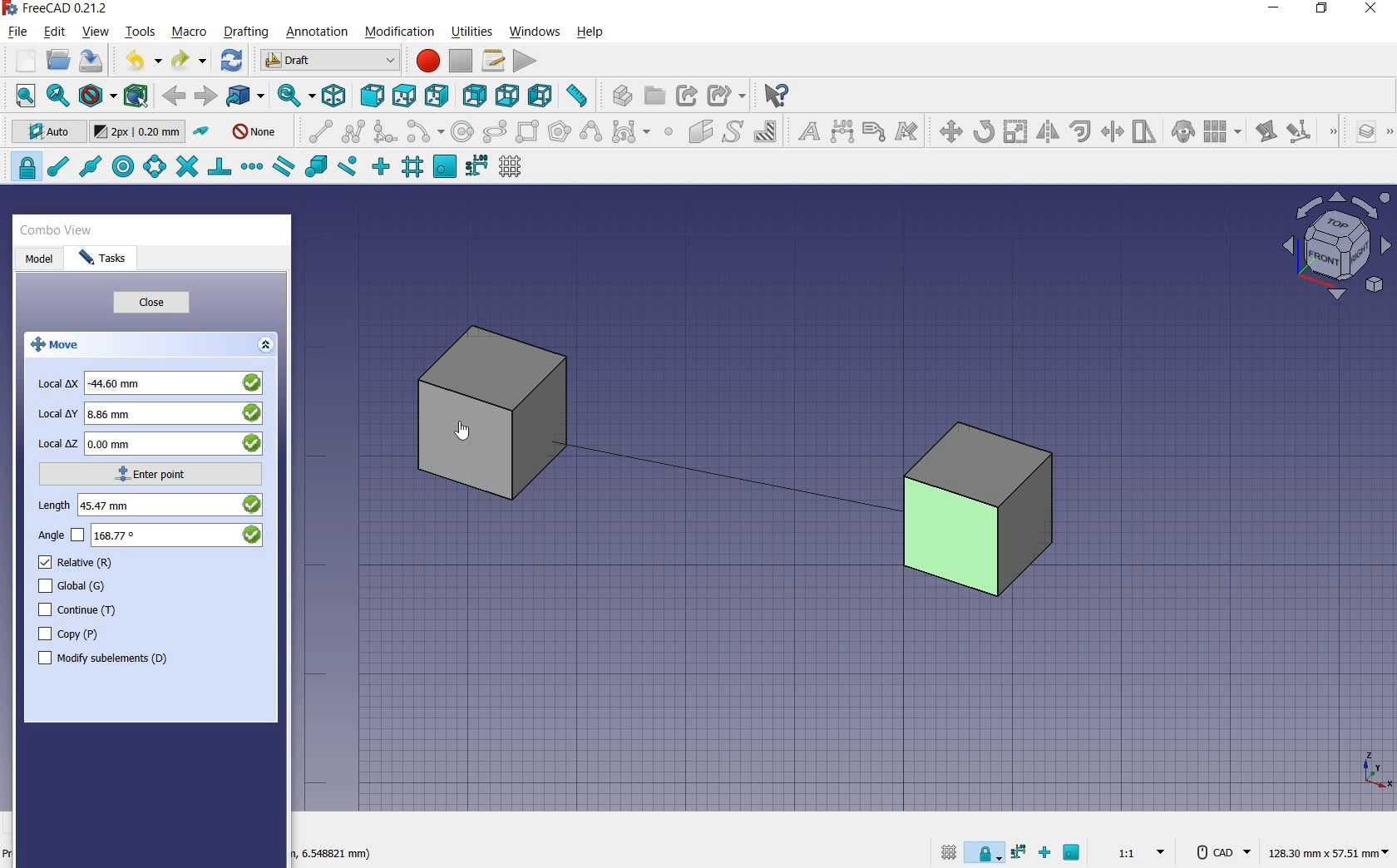 The image size is (1397, 868). I want to click on edit, so click(55, 32).